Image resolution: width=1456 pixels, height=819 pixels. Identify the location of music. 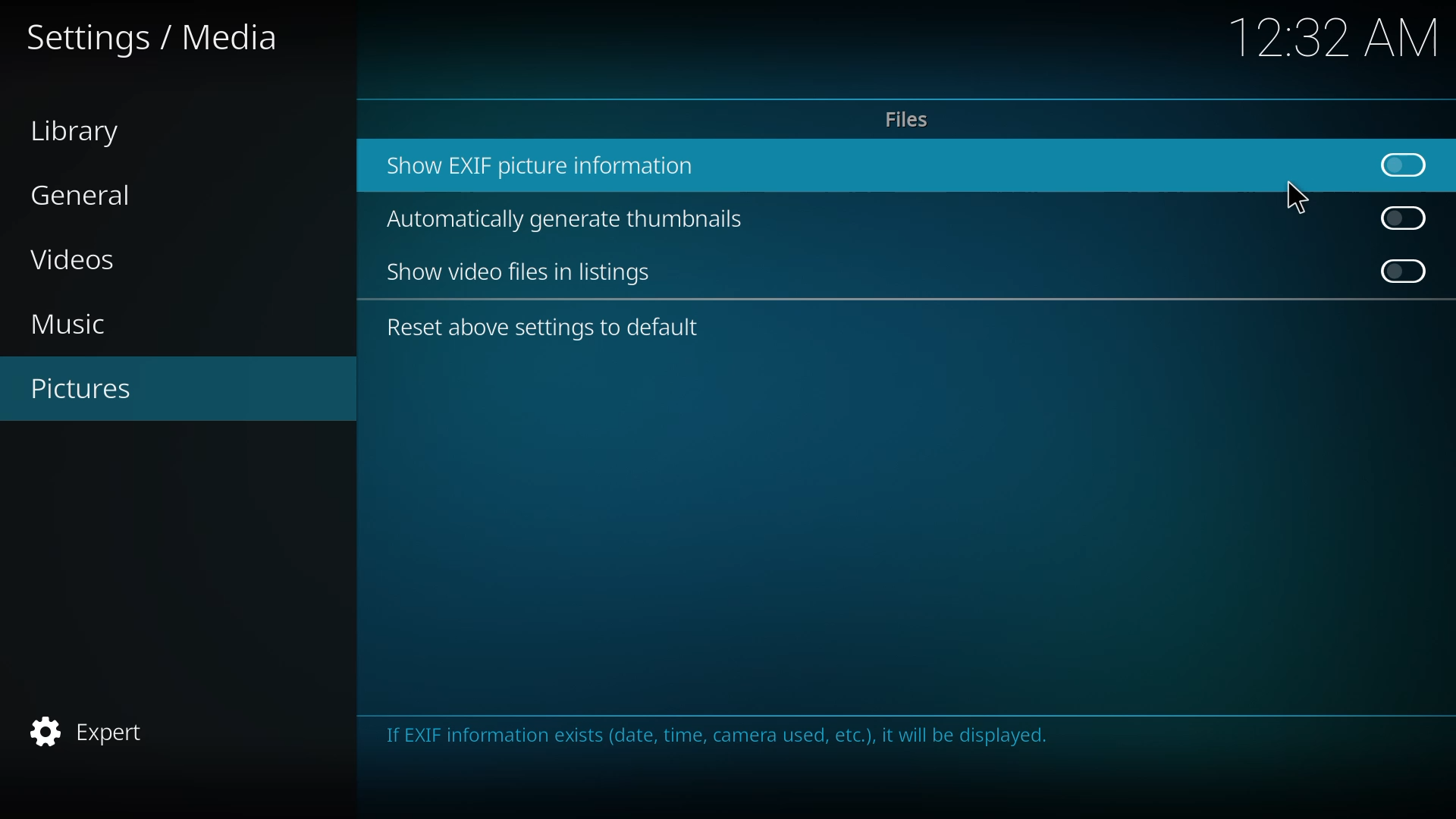
(85, 324).